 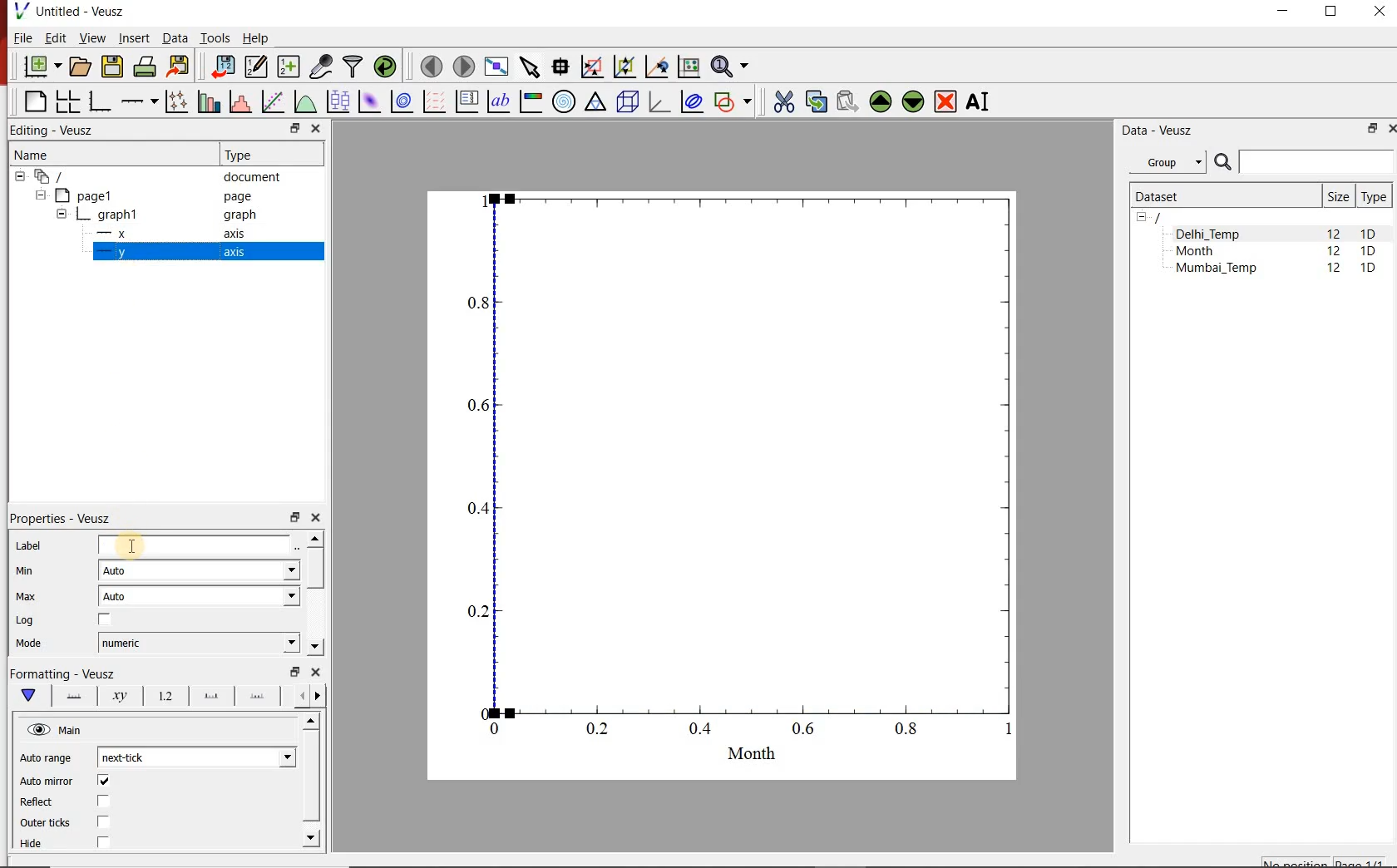 What do you see at coordinates (216, 38) in the screenshot?
I see `Tools` at bounding box center [216, 38].